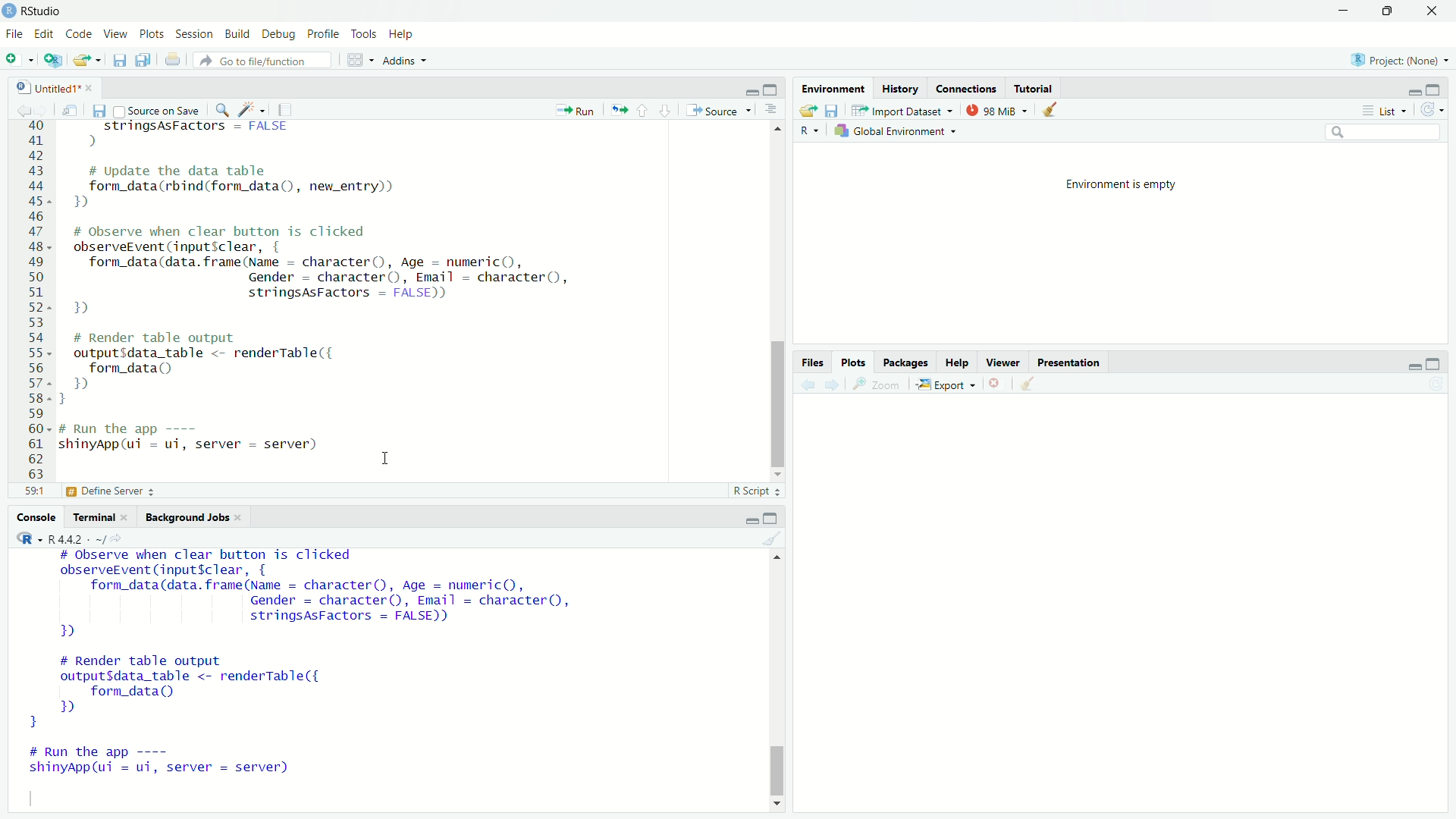 Image resolution: width=1456 pixels, height=819 pixels. Describe the element at coordinates (775, 516) in the screenshot. I see `maximize` at that location.